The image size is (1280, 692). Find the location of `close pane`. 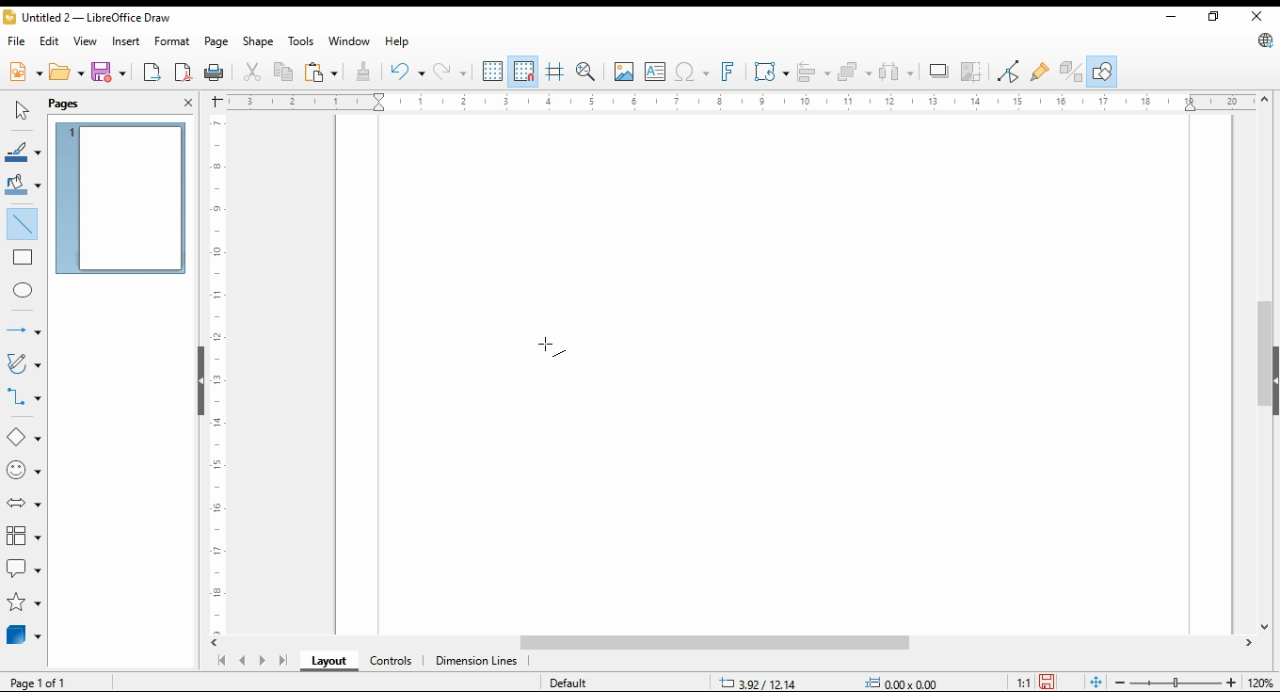

close pane is located at coordinates (189, 102).